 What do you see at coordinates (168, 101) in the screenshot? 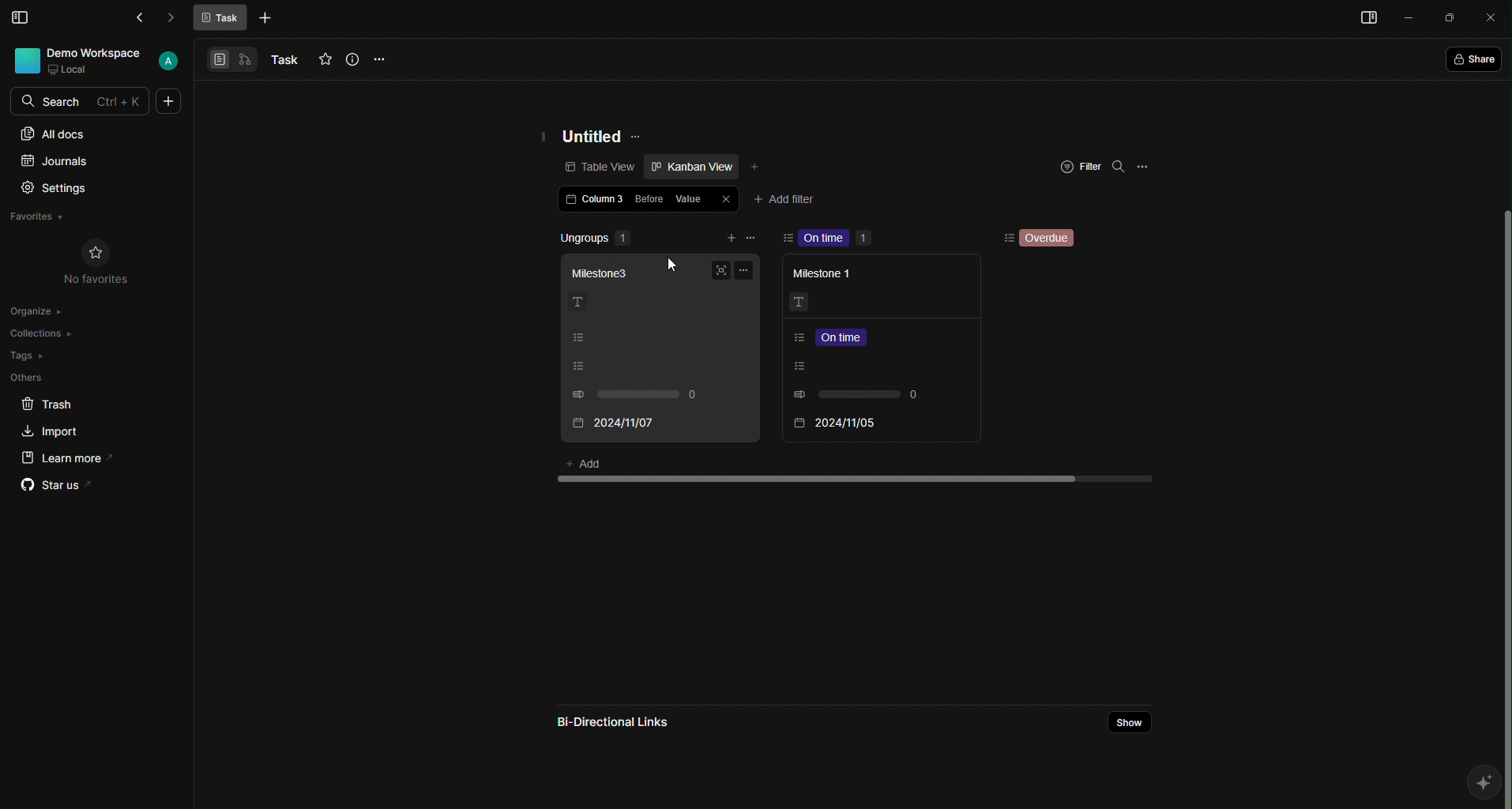
I see `More` at bounding box center [168, 101].